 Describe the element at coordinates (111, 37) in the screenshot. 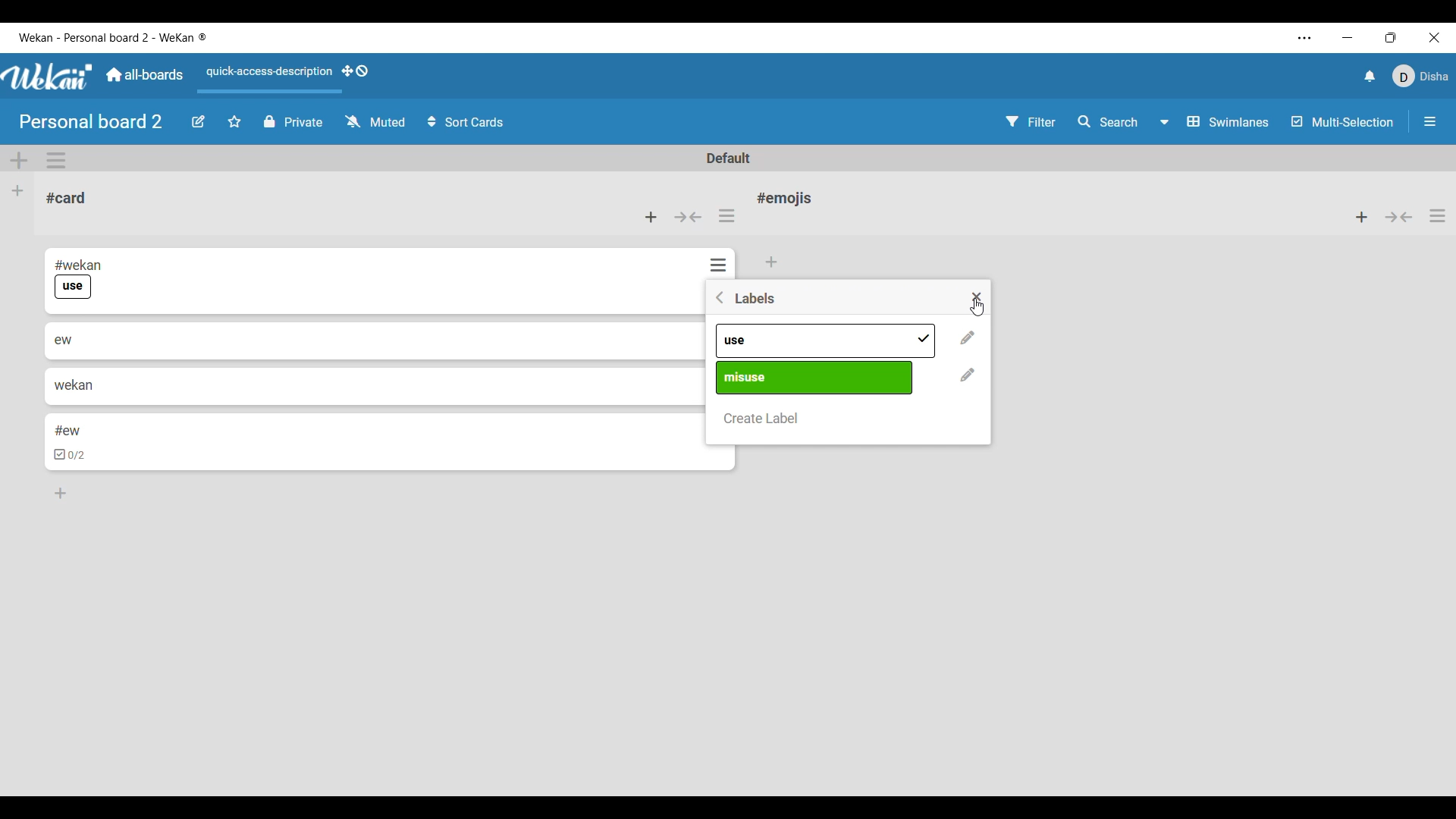

I see `Software and board name` at that location.